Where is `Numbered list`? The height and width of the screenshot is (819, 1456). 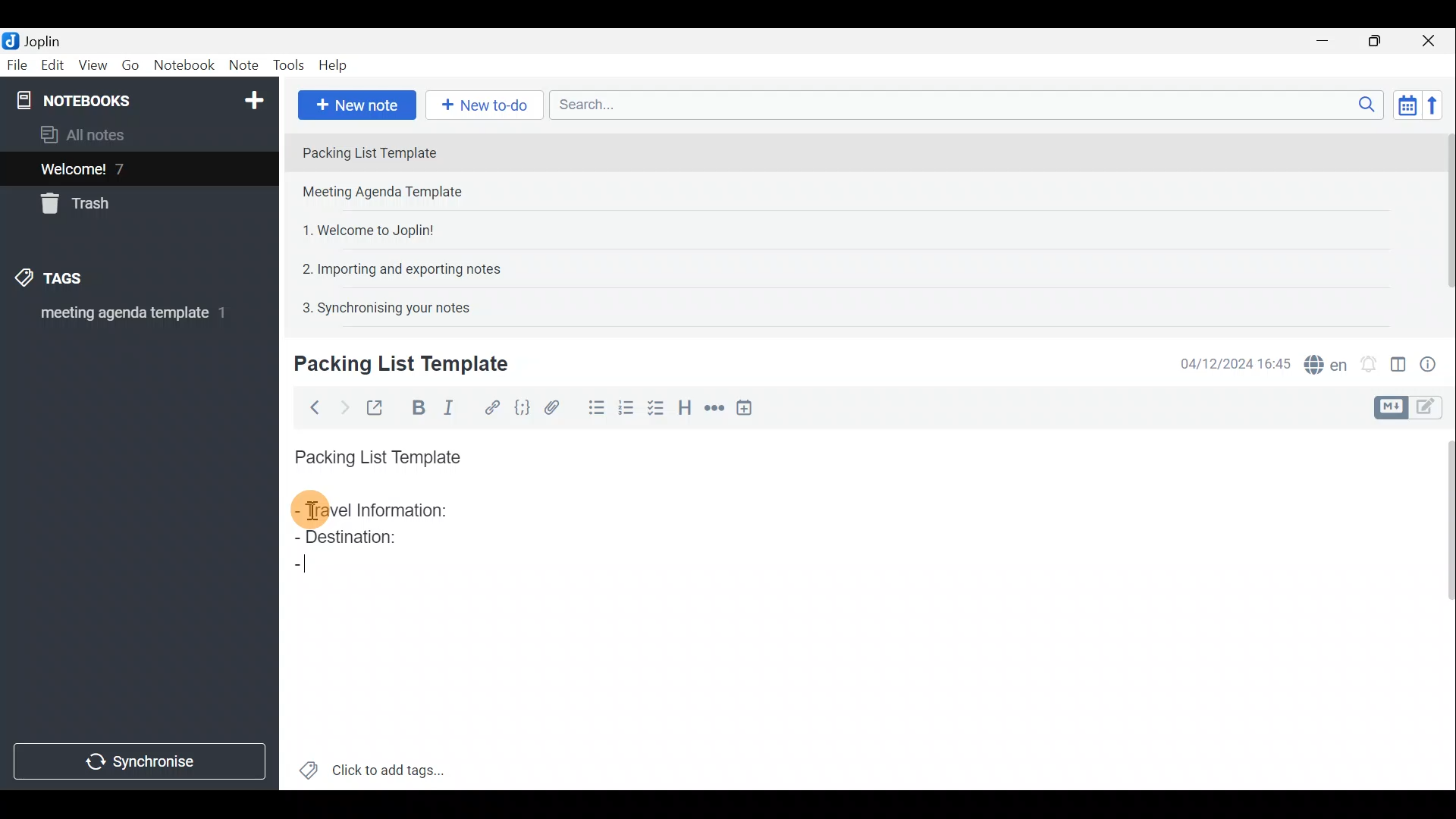
Numbered list is located at coordinates (630, 412).